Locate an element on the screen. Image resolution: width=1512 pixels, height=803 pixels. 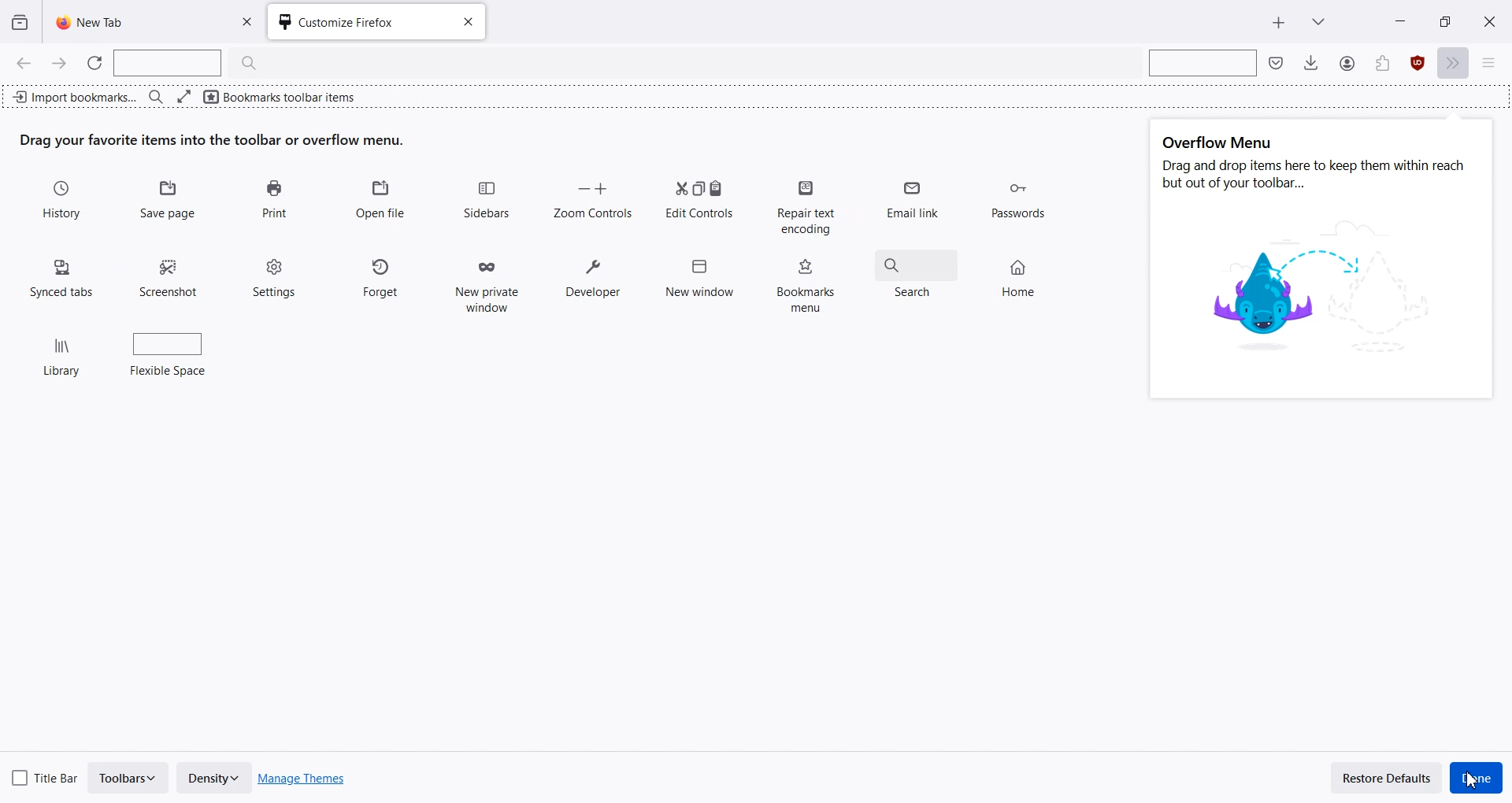
Search bar is located at coordinates (1200, 62).